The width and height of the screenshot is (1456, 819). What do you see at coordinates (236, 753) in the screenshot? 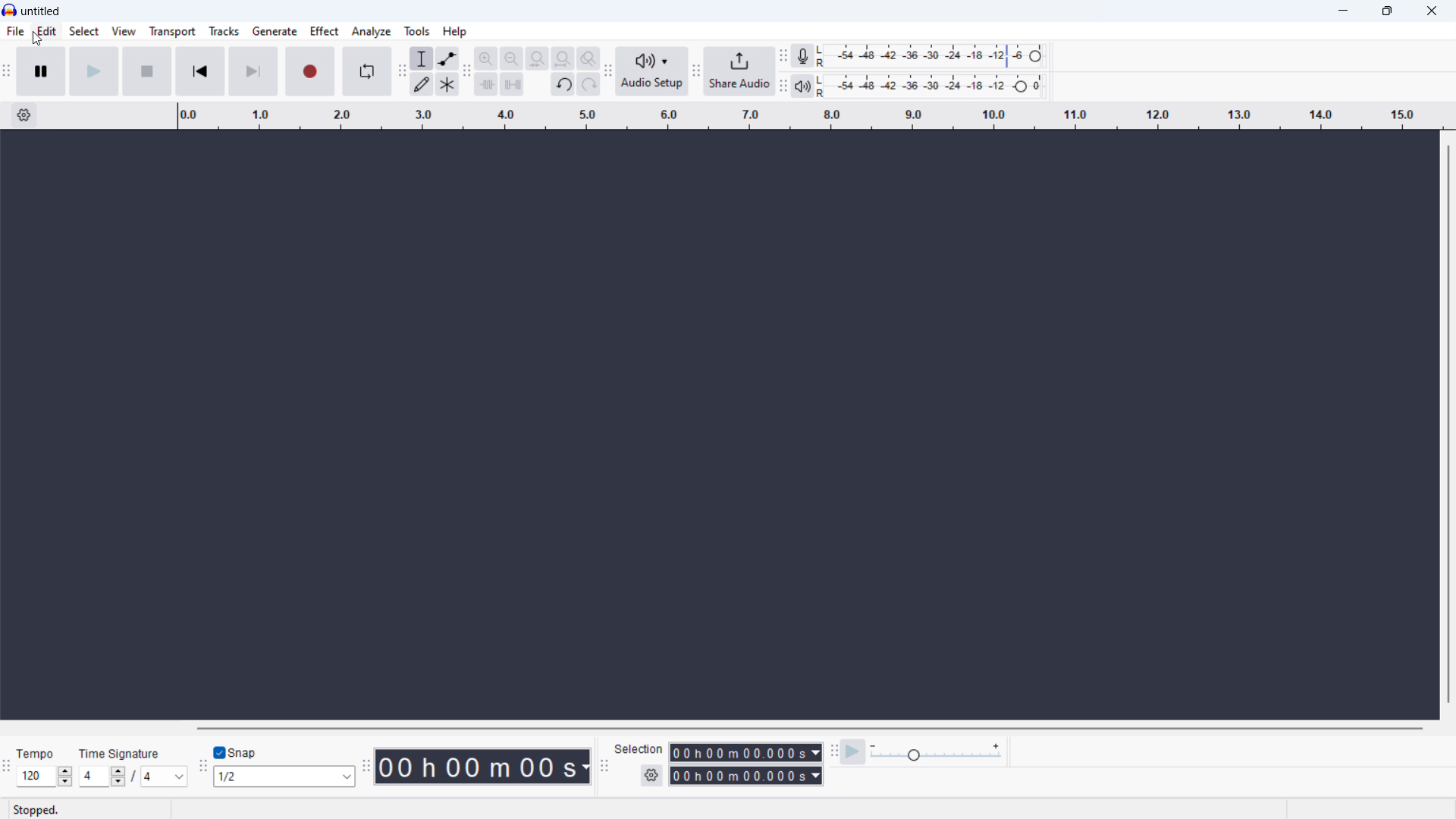
I see `toggle snap` at bounding box center [236, 753].